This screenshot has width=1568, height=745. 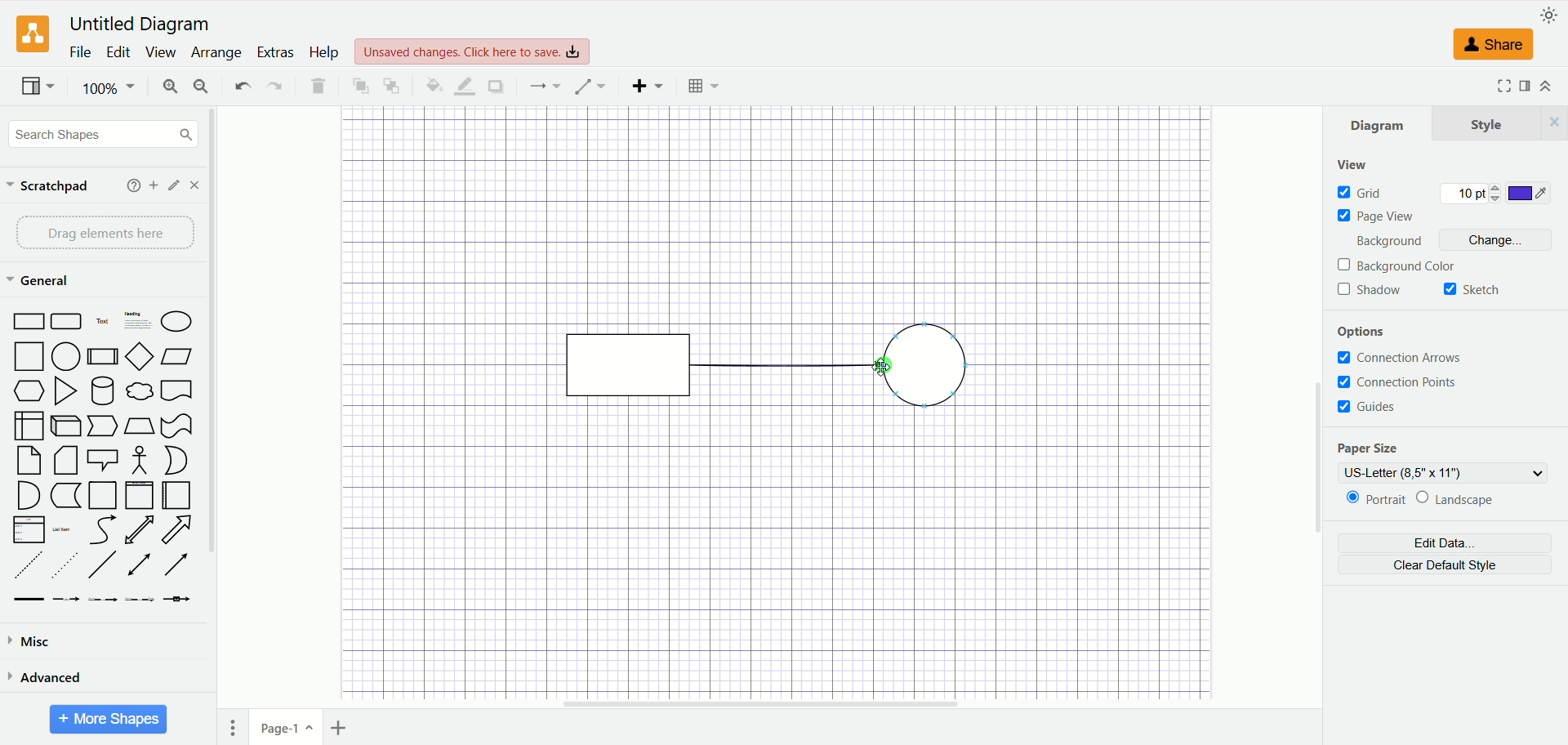 What do you see at coordinates (590, 87) in the screenshot?
I see `waypoint` at bounding box center [590, 87].